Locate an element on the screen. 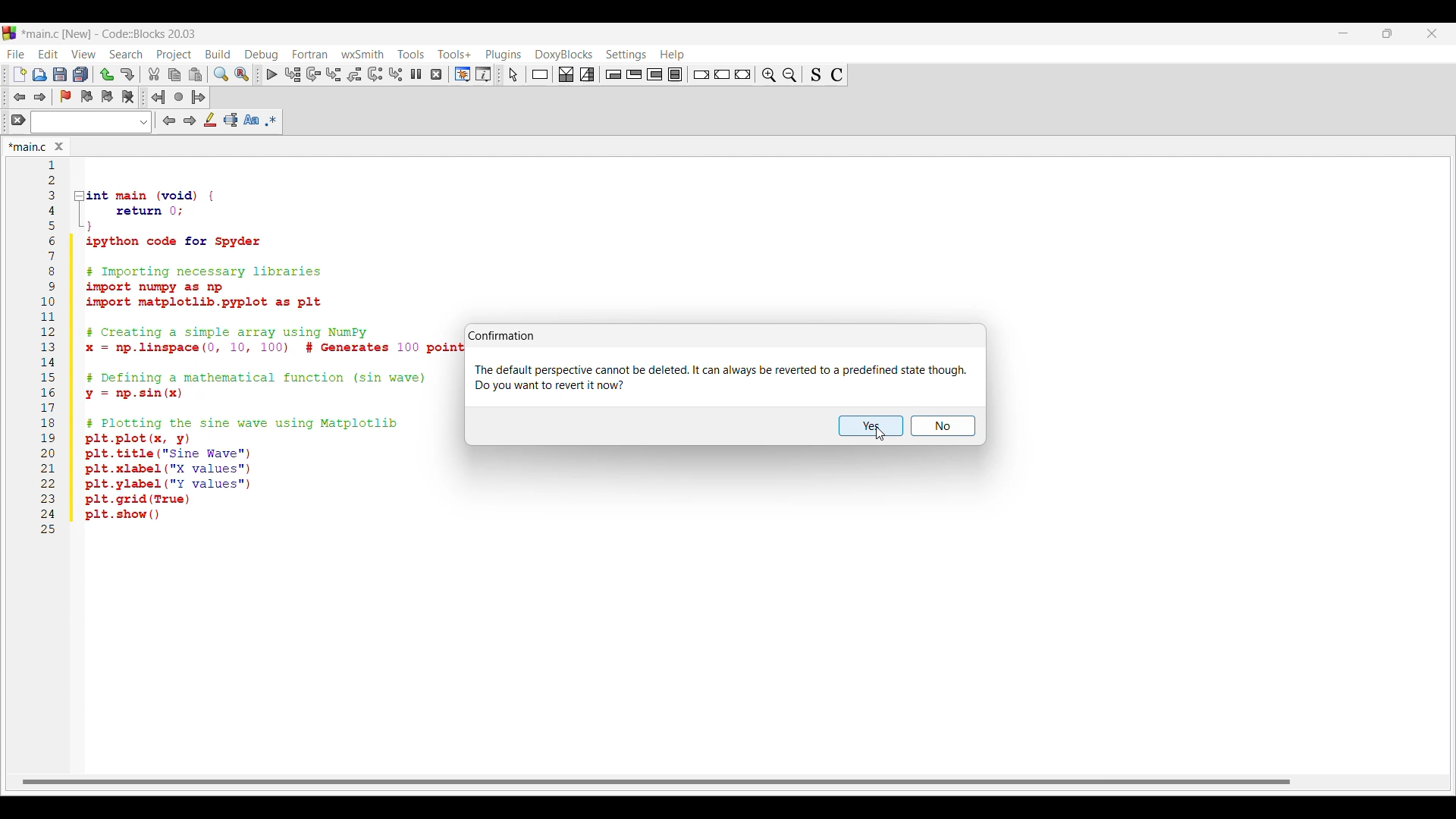 The width and height of the screenshot is (1456, 819). Step out is located at coordinates (354, 74).